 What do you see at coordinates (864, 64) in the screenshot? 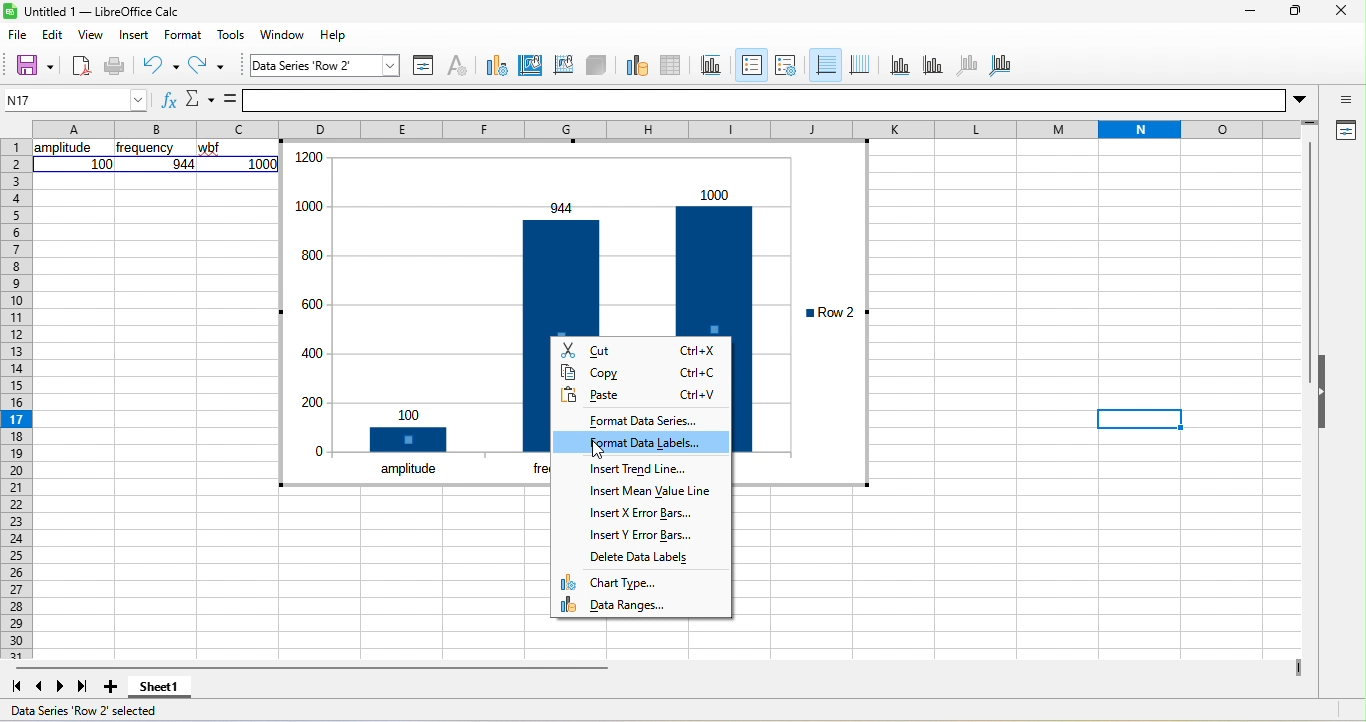
I see `vertical grid ` at bounding box center [864, 64].